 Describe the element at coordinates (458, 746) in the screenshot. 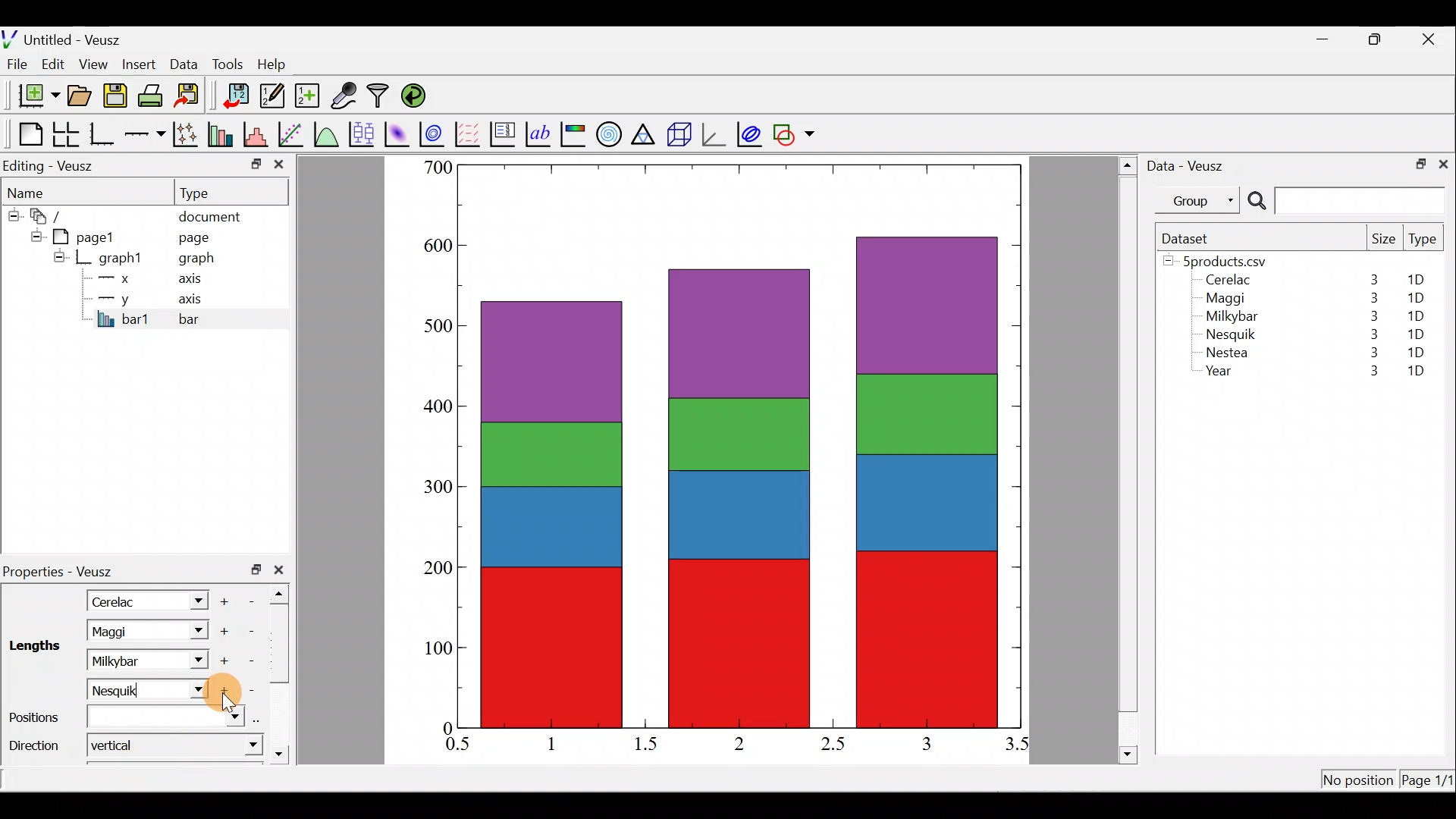

I see `0.5` at that location.